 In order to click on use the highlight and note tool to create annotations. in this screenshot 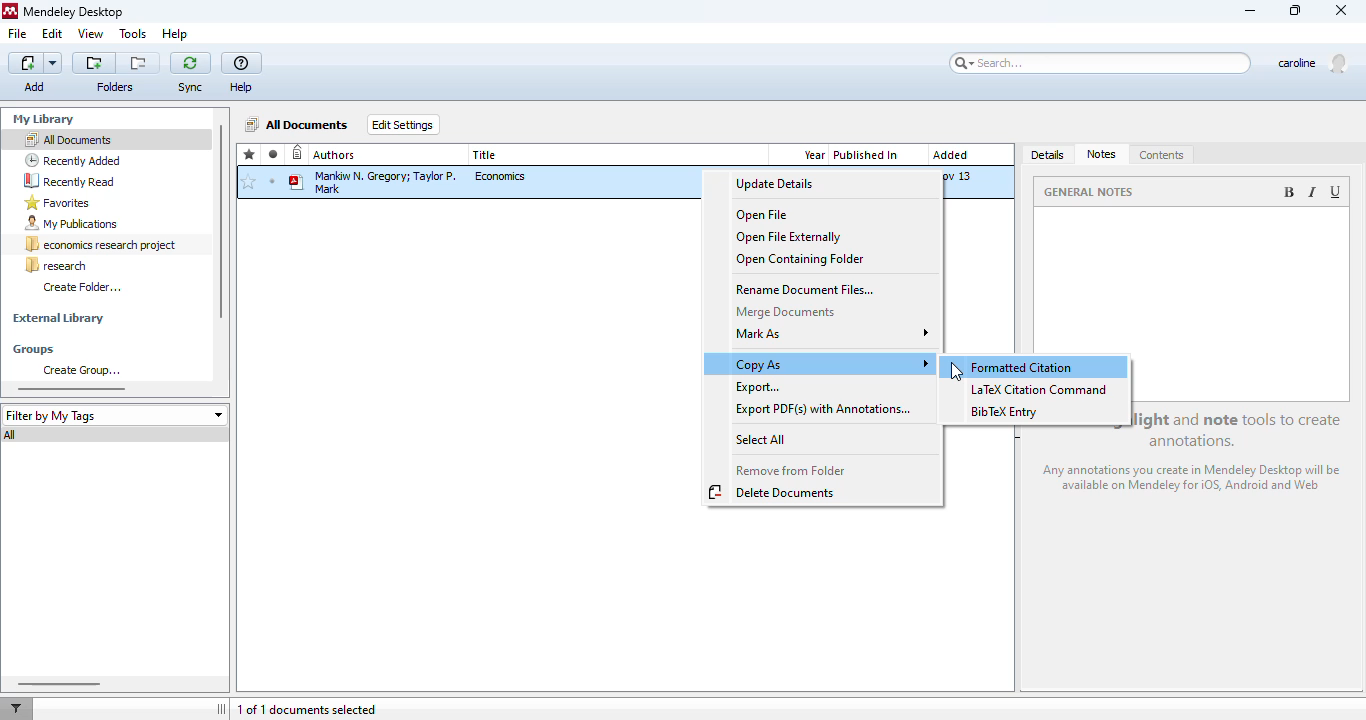, I will do `click(1240, 429)`.